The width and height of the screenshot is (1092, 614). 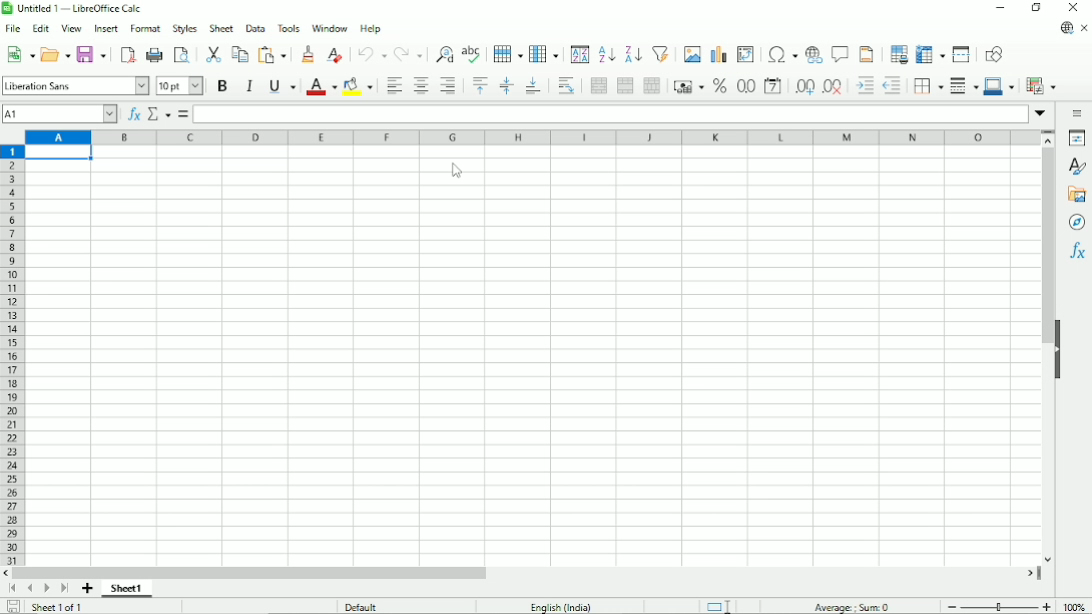 I want to click on Column headings, so click(x=532, y=137).